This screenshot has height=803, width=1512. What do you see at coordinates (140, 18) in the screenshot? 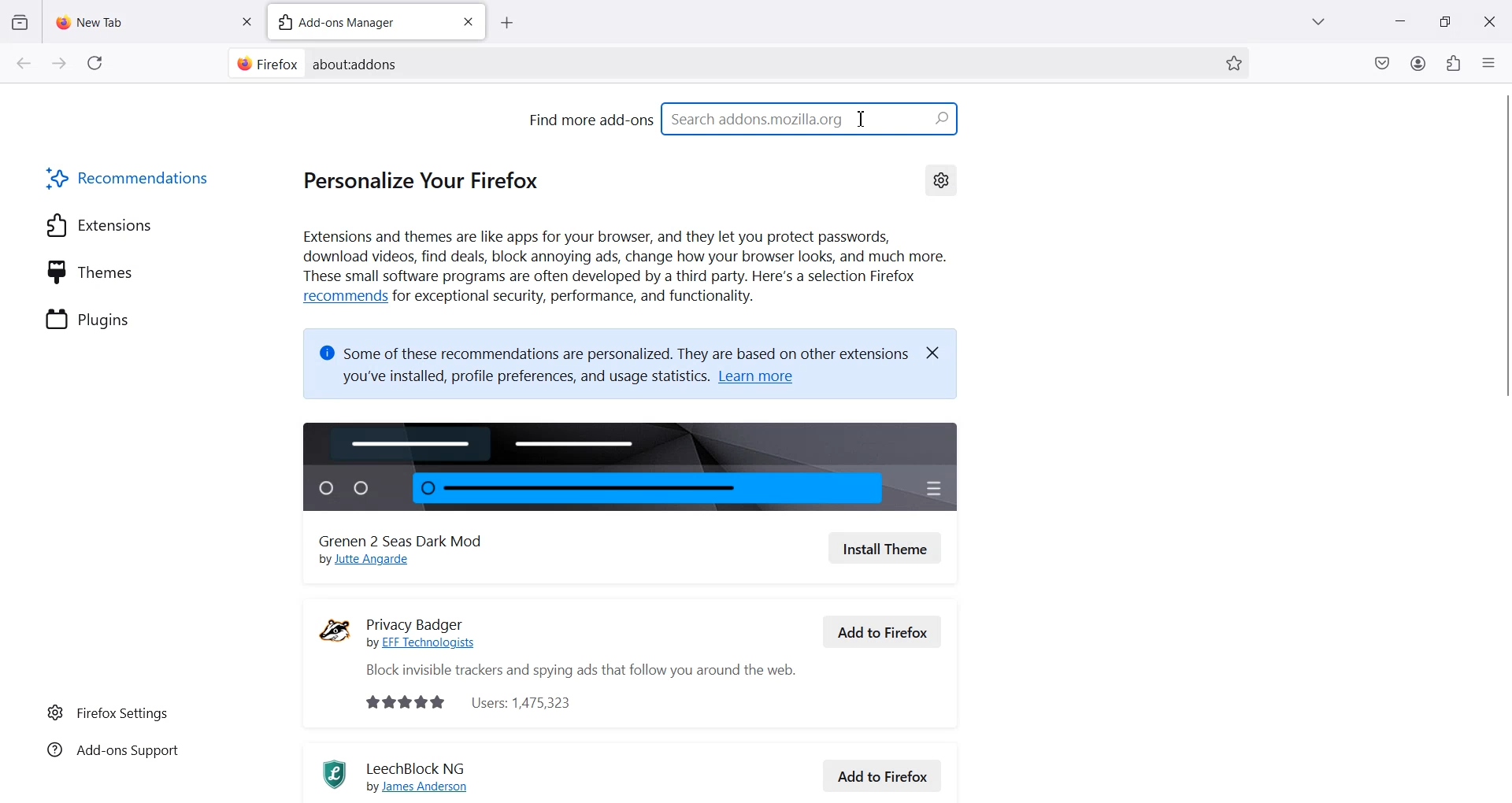
I see `New Tab` at bounding box center [140, 18].